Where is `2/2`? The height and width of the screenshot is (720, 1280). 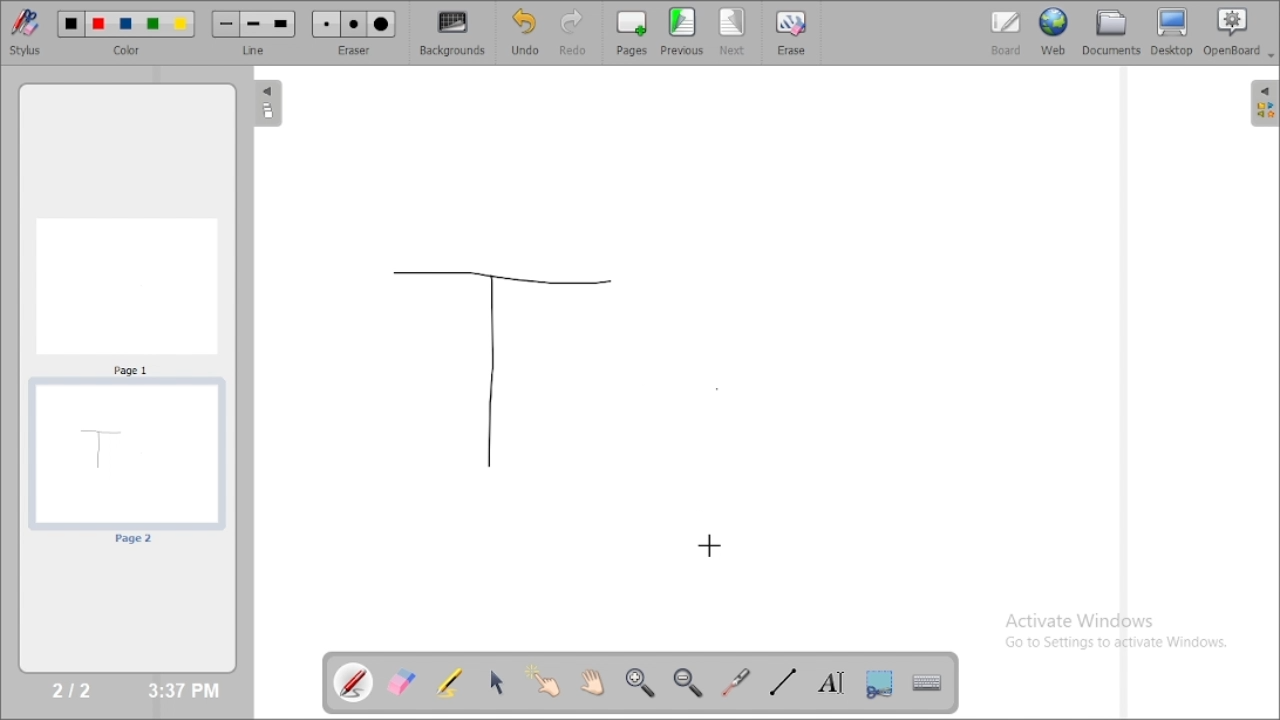
2/2 is located at coordinates (73, 689).